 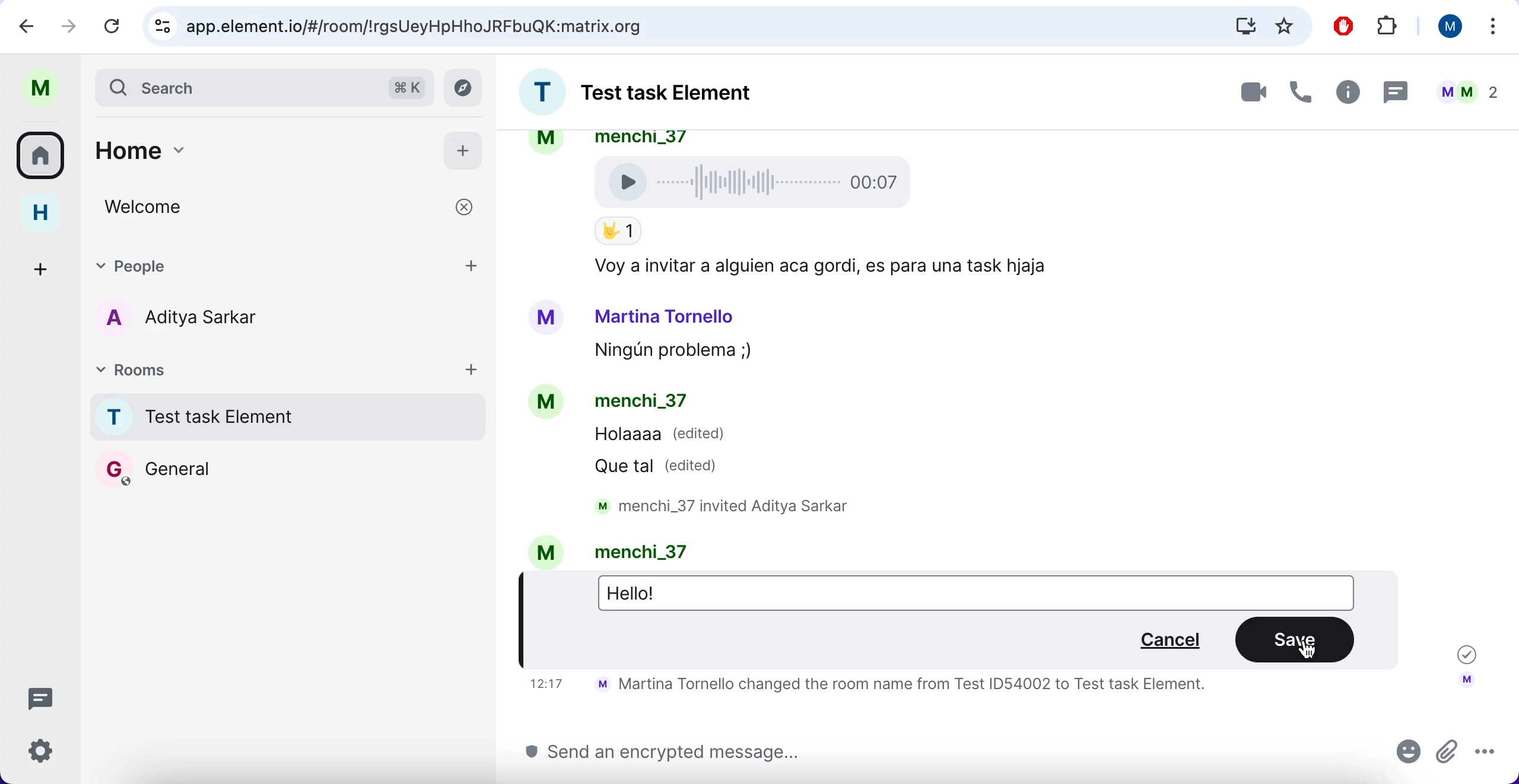 I want to click on hello! - edits made, so click(x=640, y=594).